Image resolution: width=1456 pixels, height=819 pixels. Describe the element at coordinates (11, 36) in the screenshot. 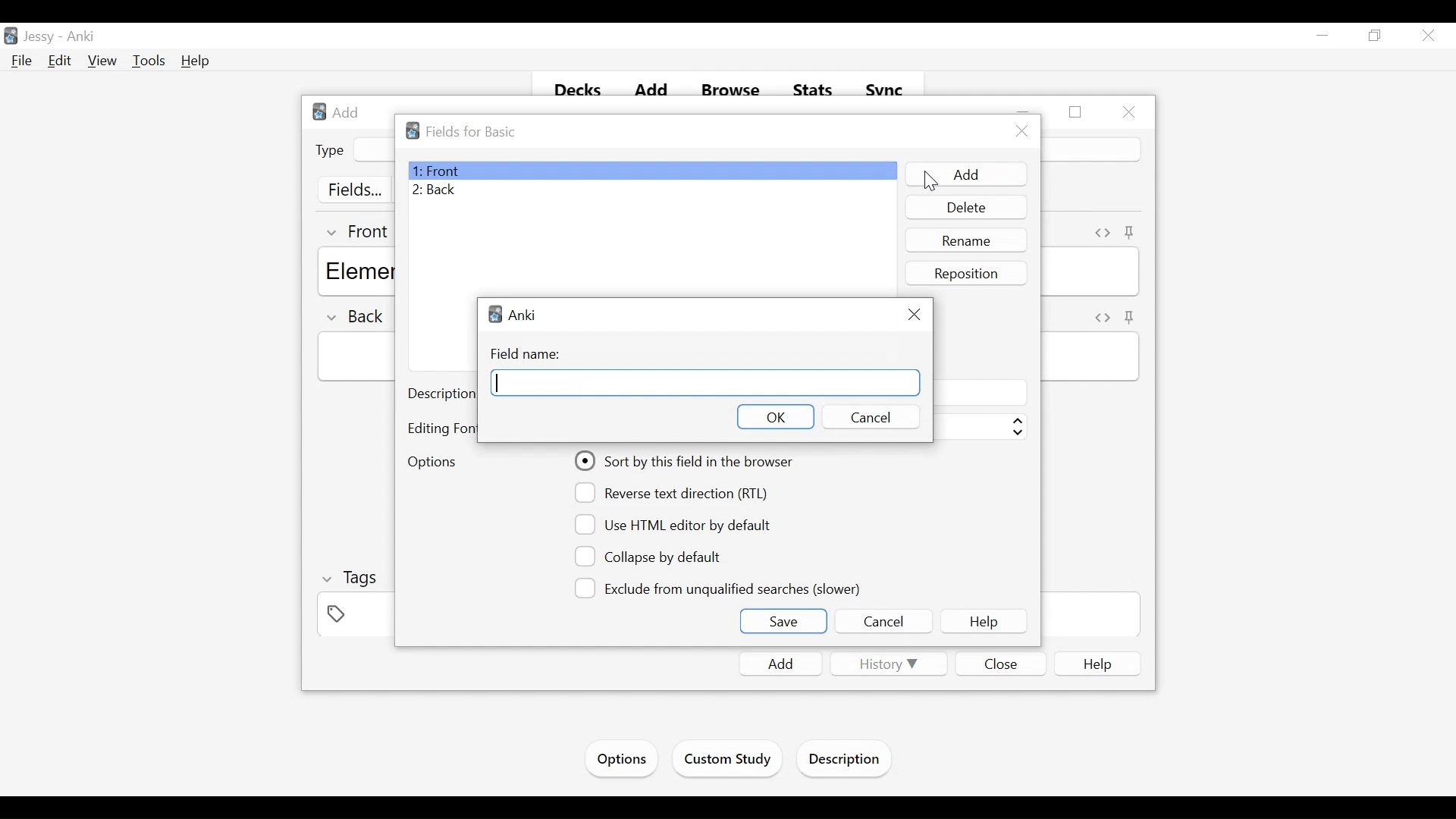

I see `Anki Desktop Icon` at that location.